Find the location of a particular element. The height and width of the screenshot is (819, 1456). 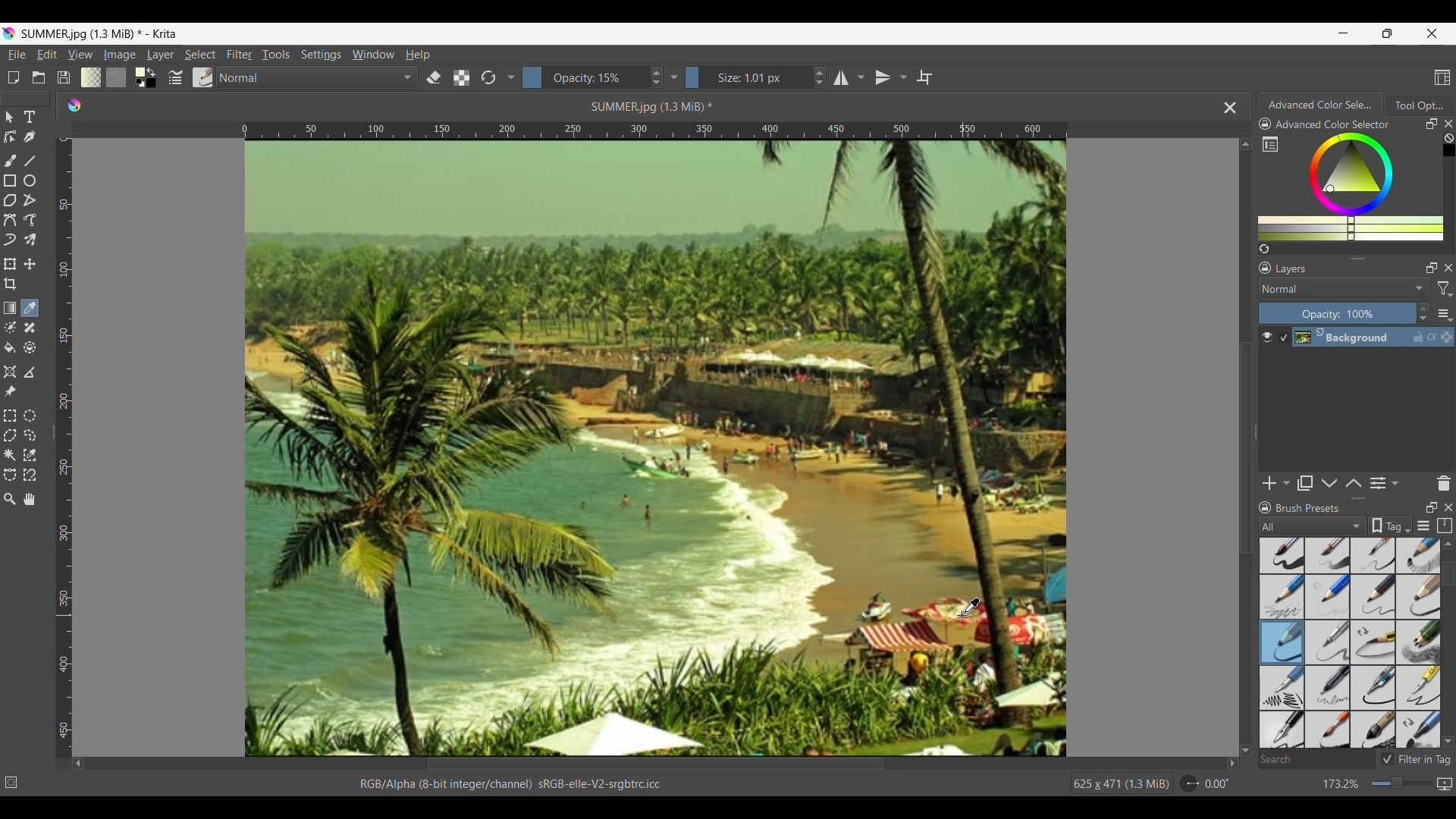

Select shapes tool is located at coordinates (10, 117).